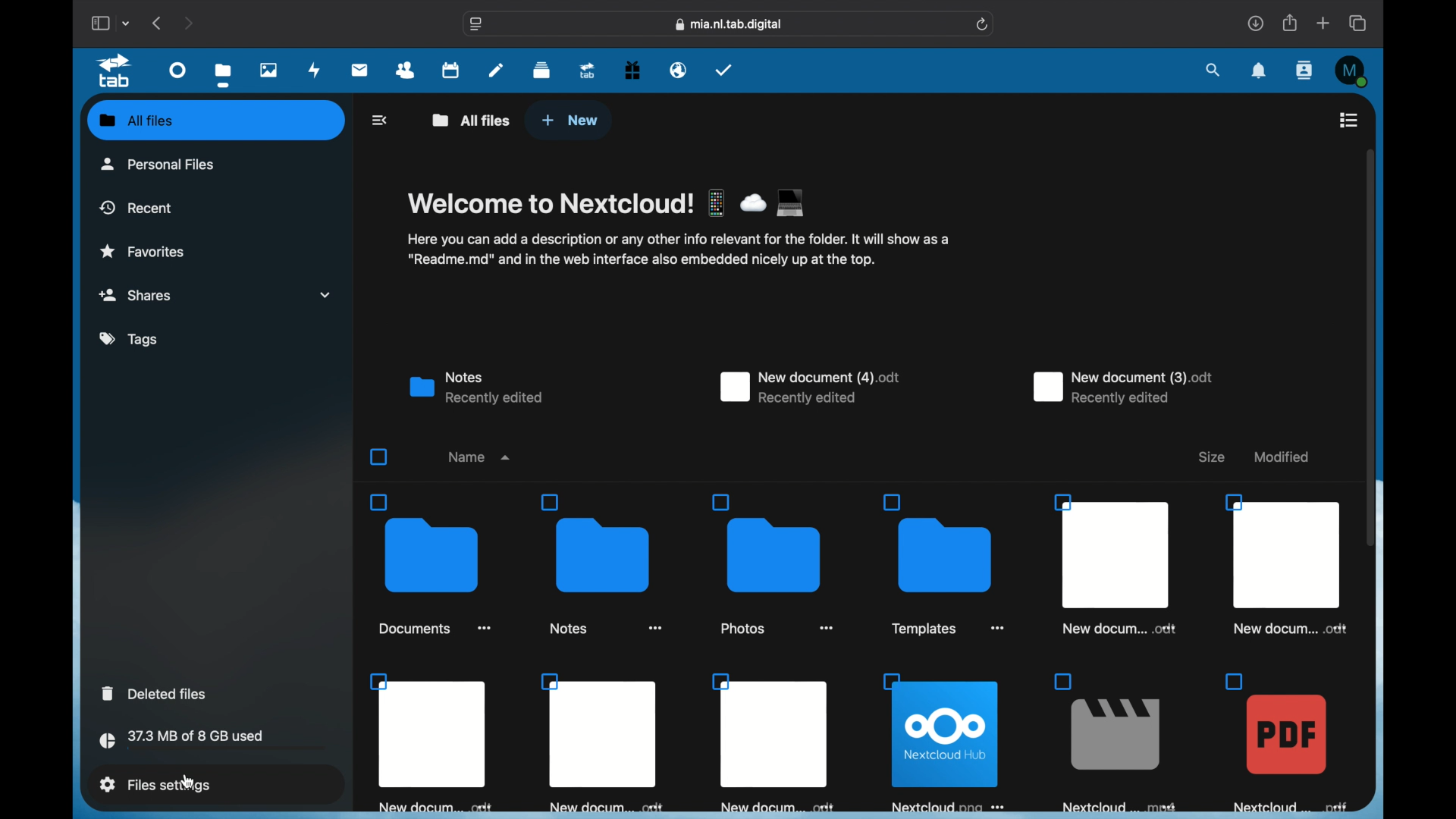 Image resolution: width=1456 pixels, height=819 pixels. What do you see at coordinates (775, 742) in the screenshot?
I see `file` at bounding box center [775, 742].